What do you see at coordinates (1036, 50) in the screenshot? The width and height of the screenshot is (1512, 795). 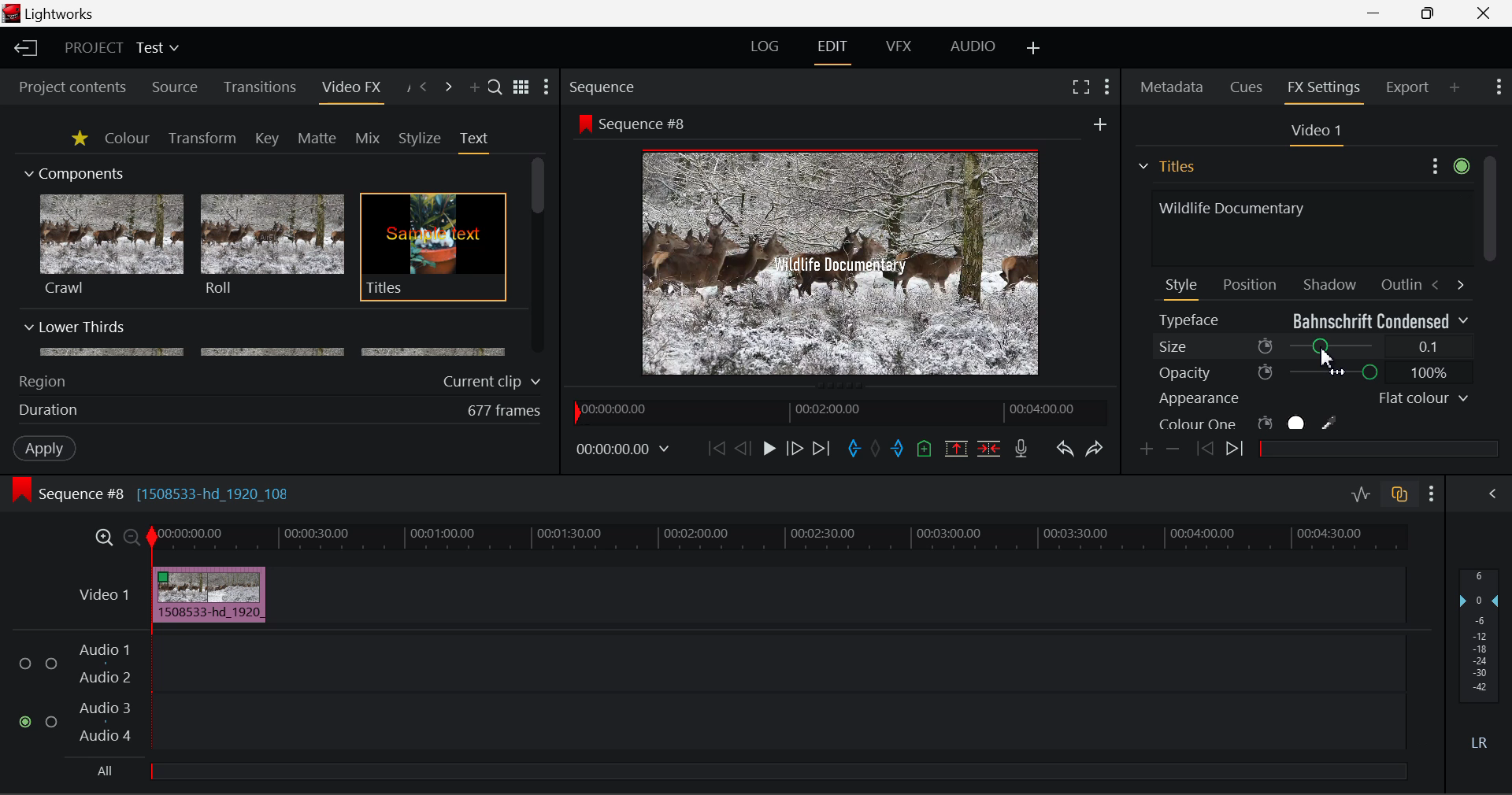 I see `Add Layout` at bounding box center [1036, 50].